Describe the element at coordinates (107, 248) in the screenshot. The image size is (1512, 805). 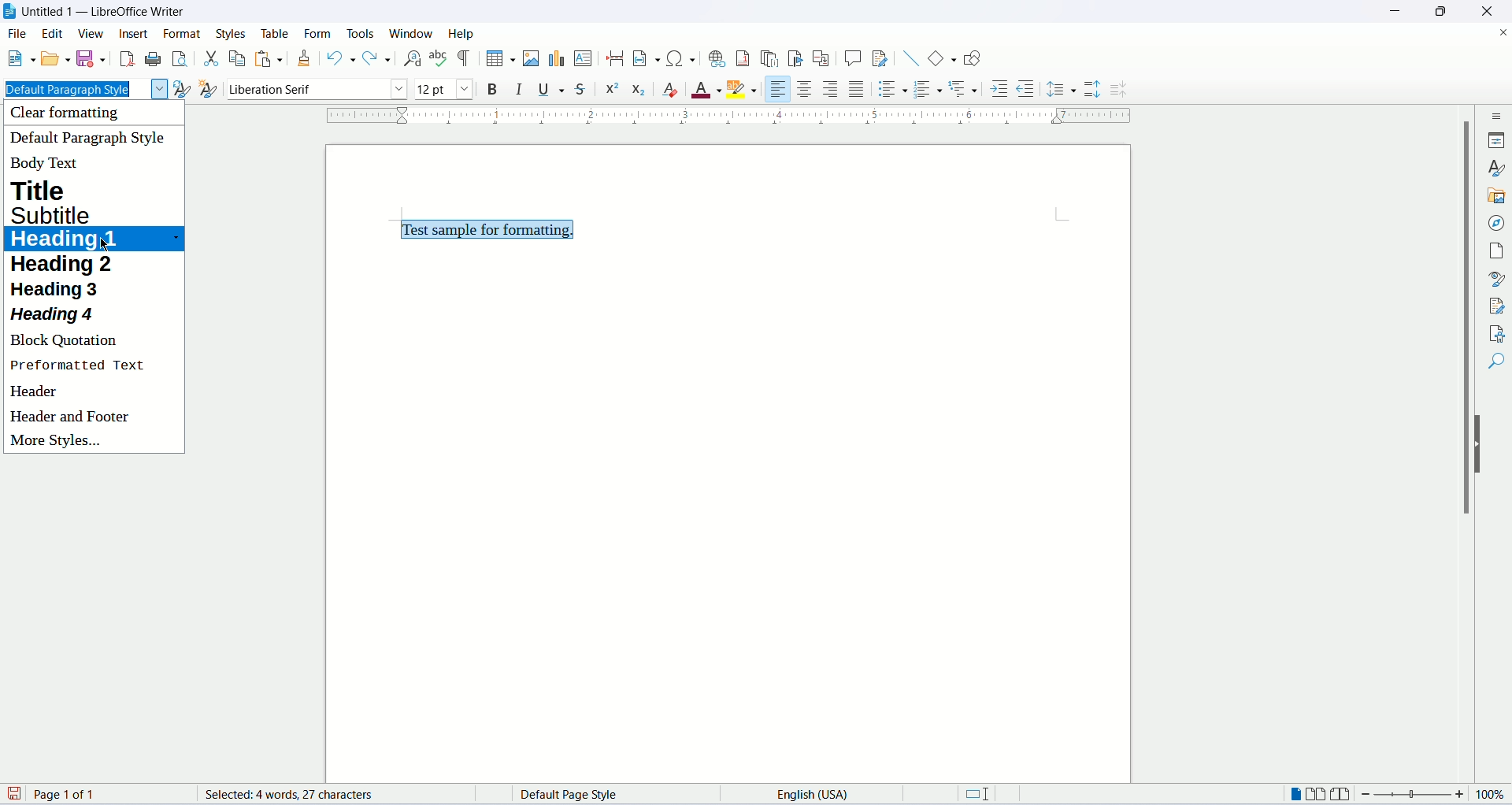
I see `cursor` at that location.